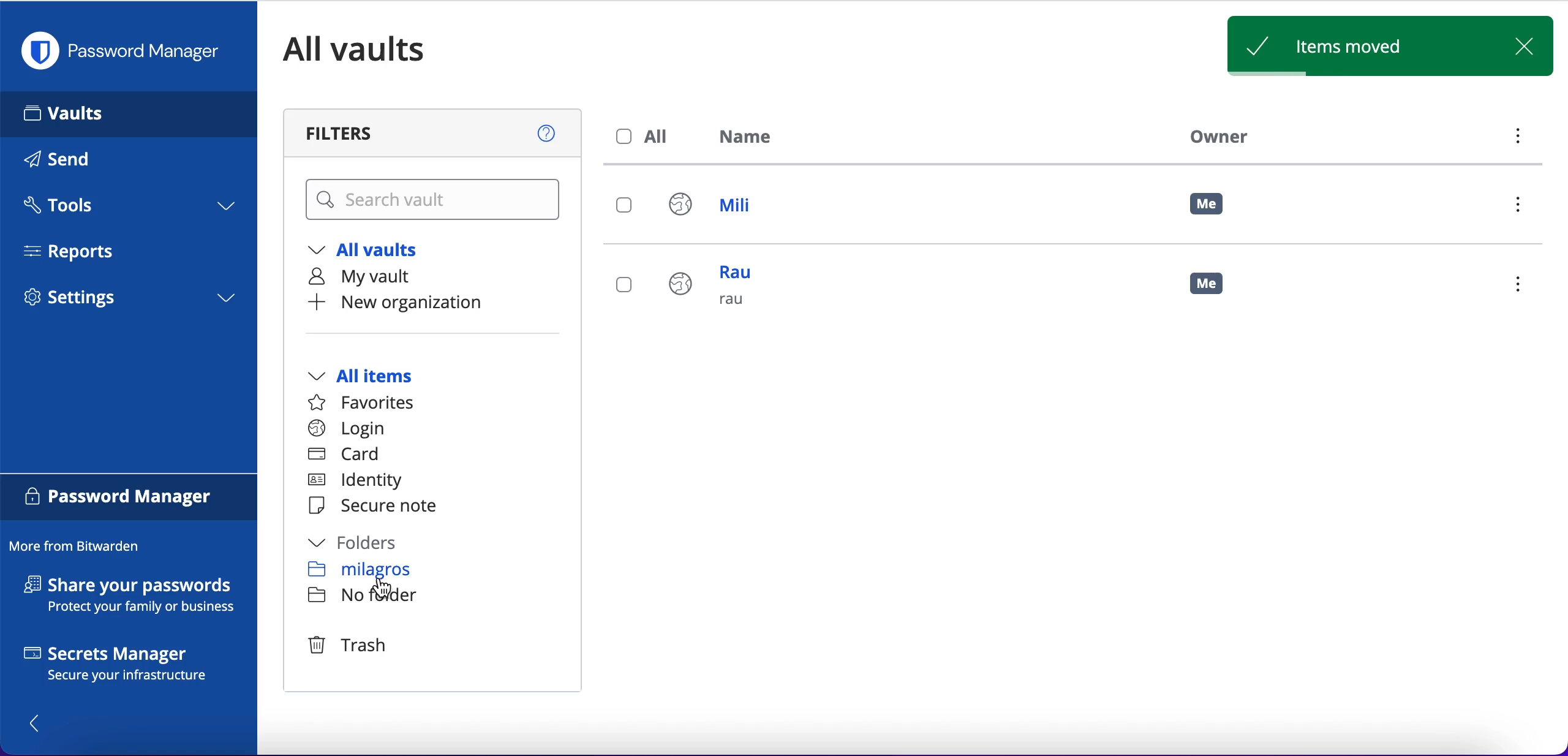 The height and width of the screenshot is (756, 1568). What do you see at coordinates (1215, 136) in the screenshot?
I see `owner` at bounding box center [1215, 136].